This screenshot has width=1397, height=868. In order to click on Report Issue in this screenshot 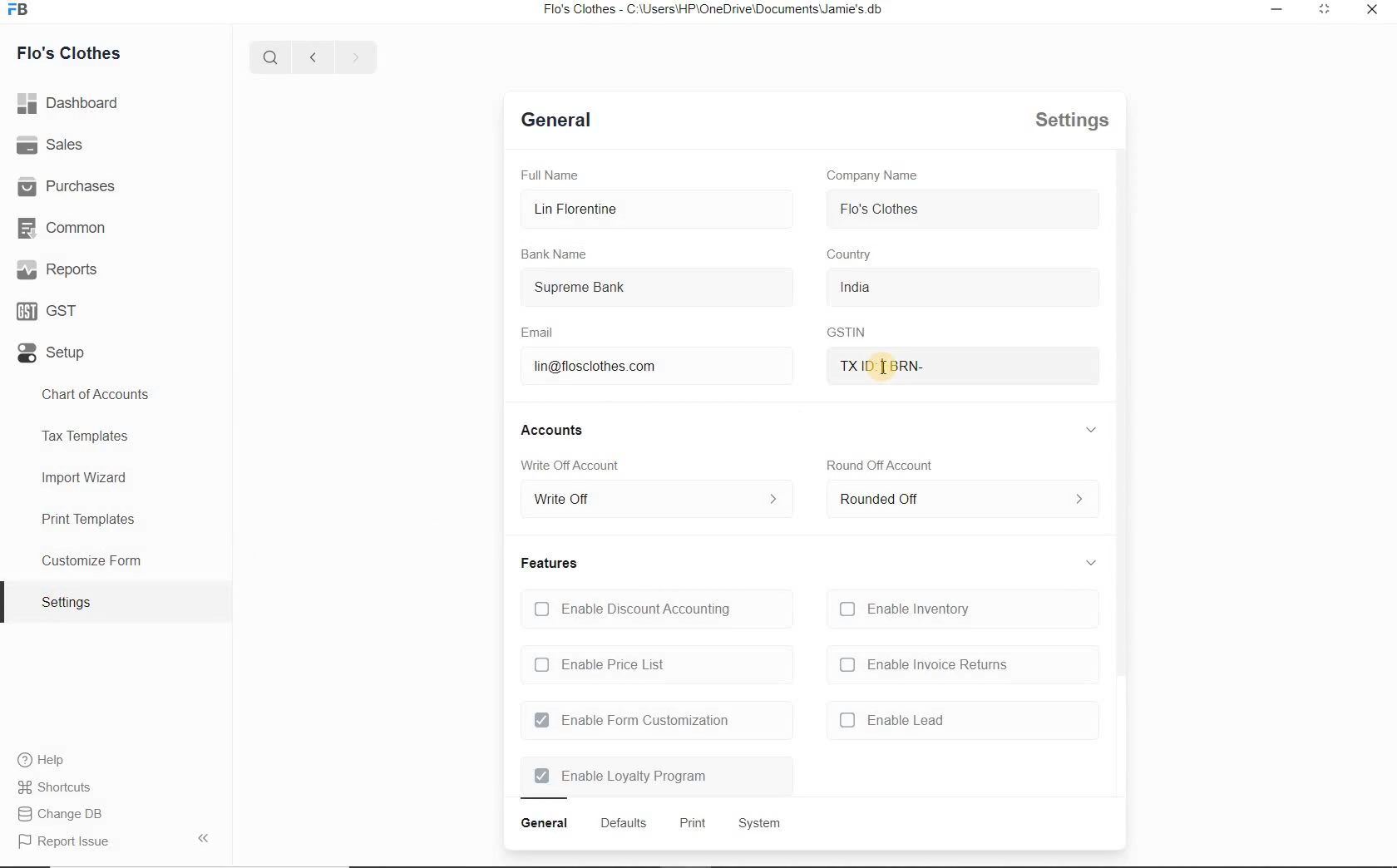, I will do `click(68, 816)`.